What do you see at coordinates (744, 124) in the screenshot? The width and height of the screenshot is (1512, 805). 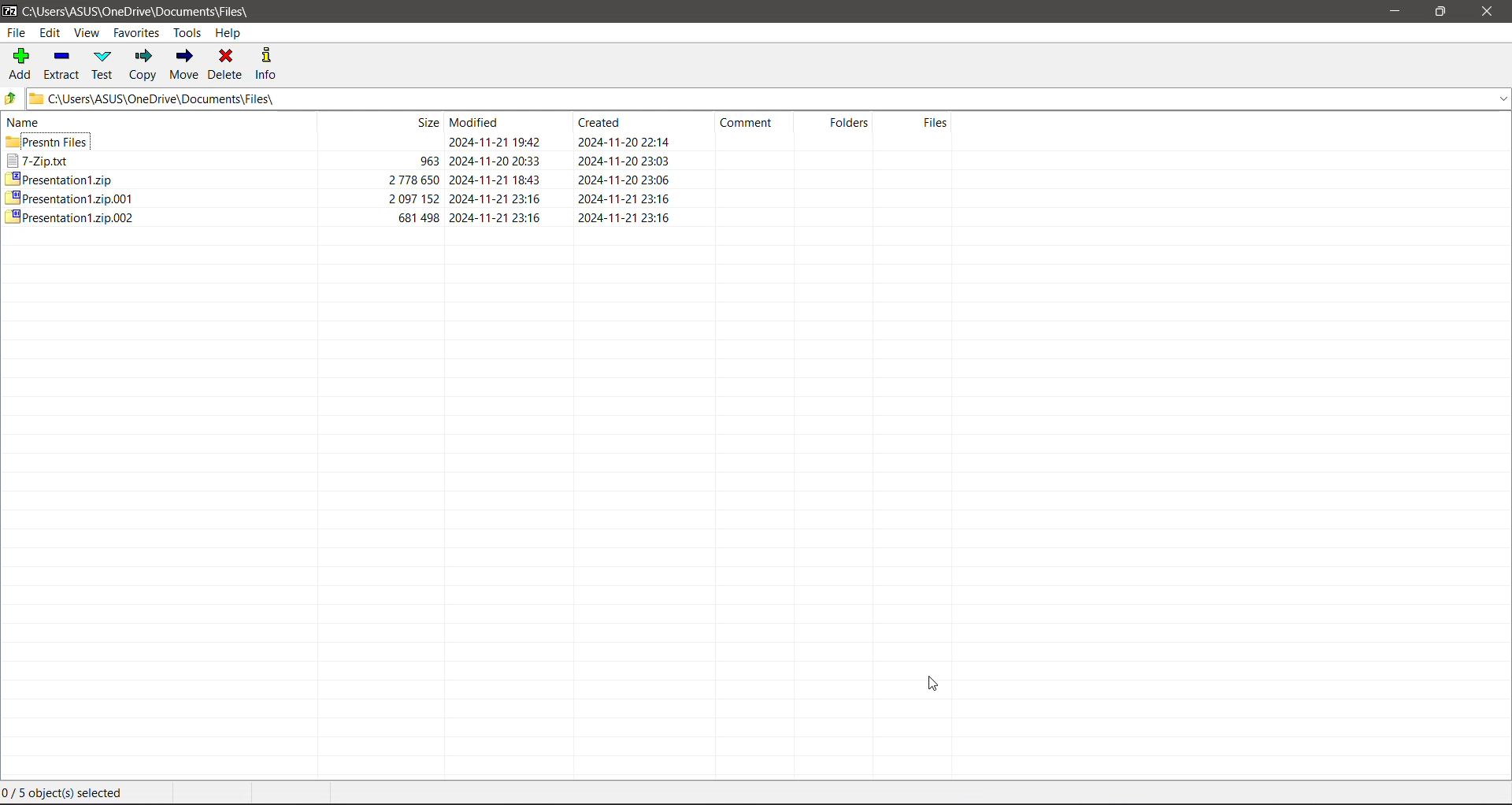 I see `‘Comment` at bounding box center [744, 124].